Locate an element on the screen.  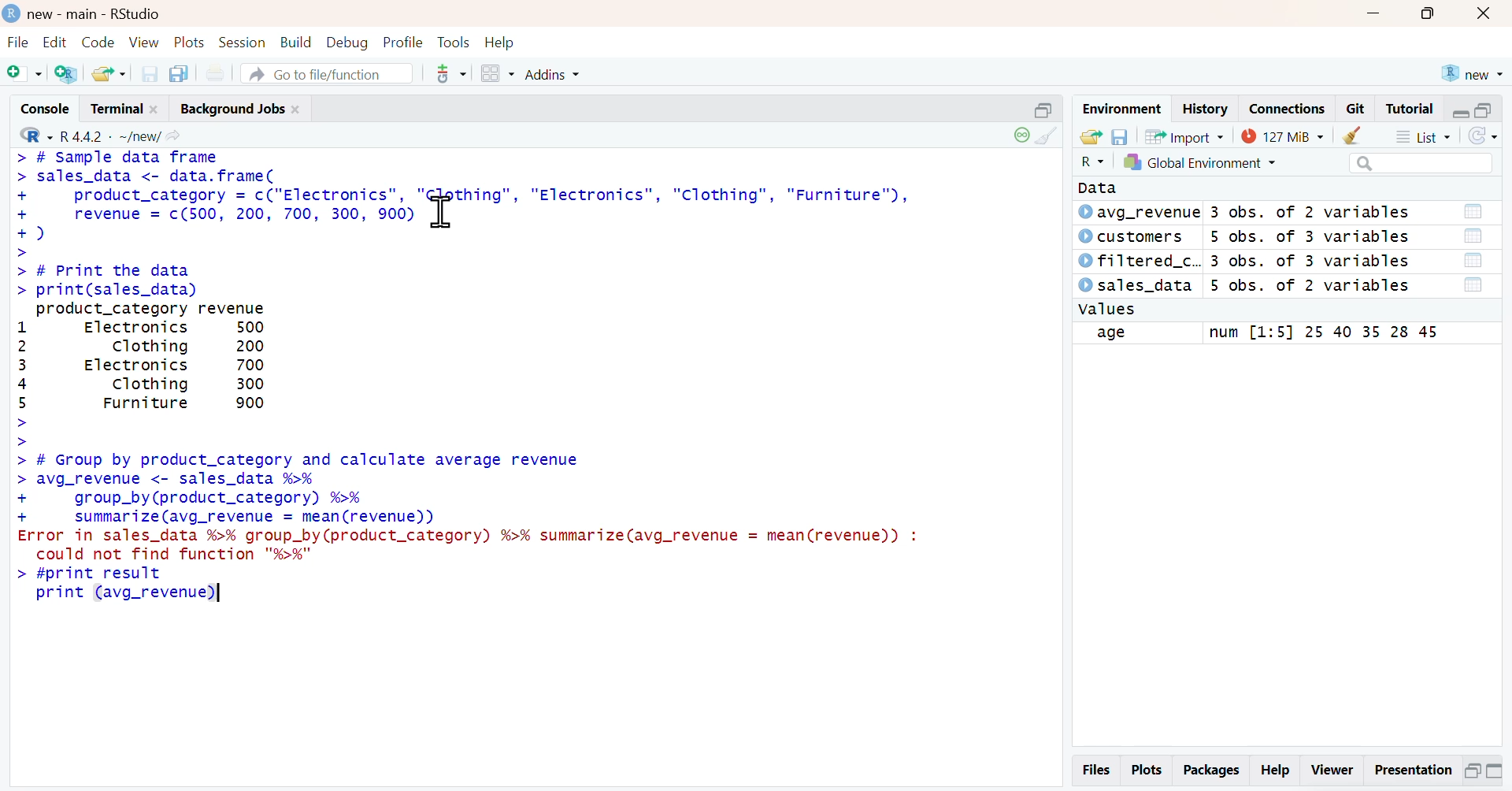
cursor is located at coordinates (440, 212).